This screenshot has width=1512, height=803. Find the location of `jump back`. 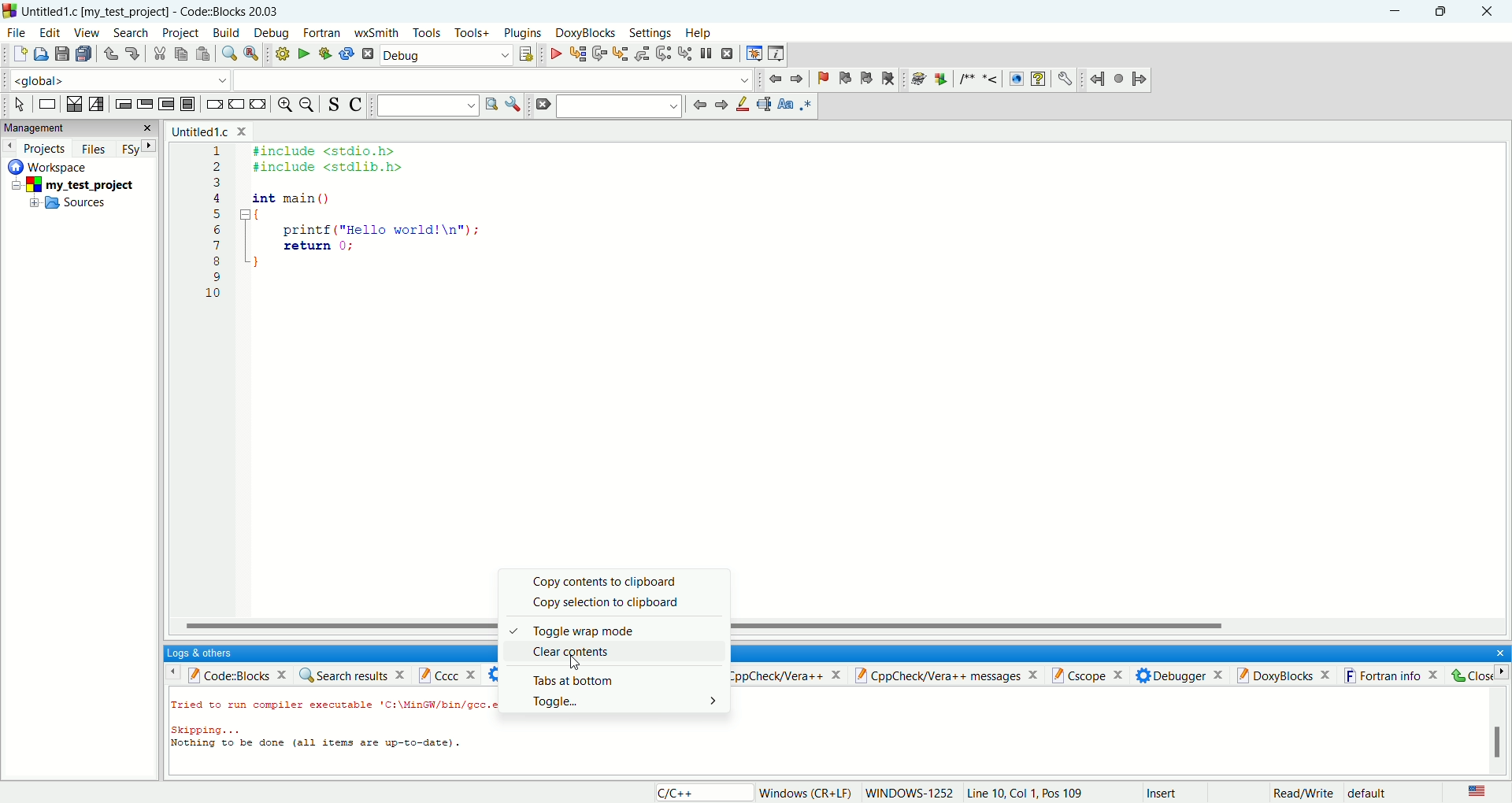

jump back is located at coordinates (699, 105).